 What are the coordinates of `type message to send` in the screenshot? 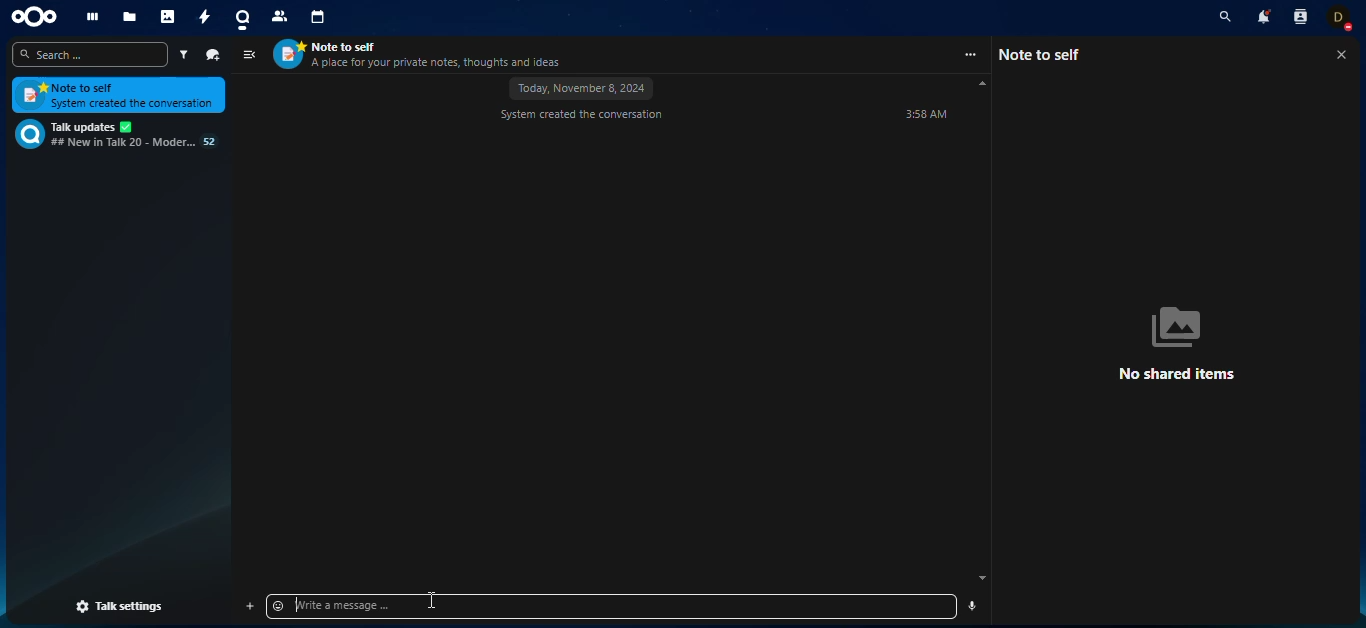 It's located at (407, 608).